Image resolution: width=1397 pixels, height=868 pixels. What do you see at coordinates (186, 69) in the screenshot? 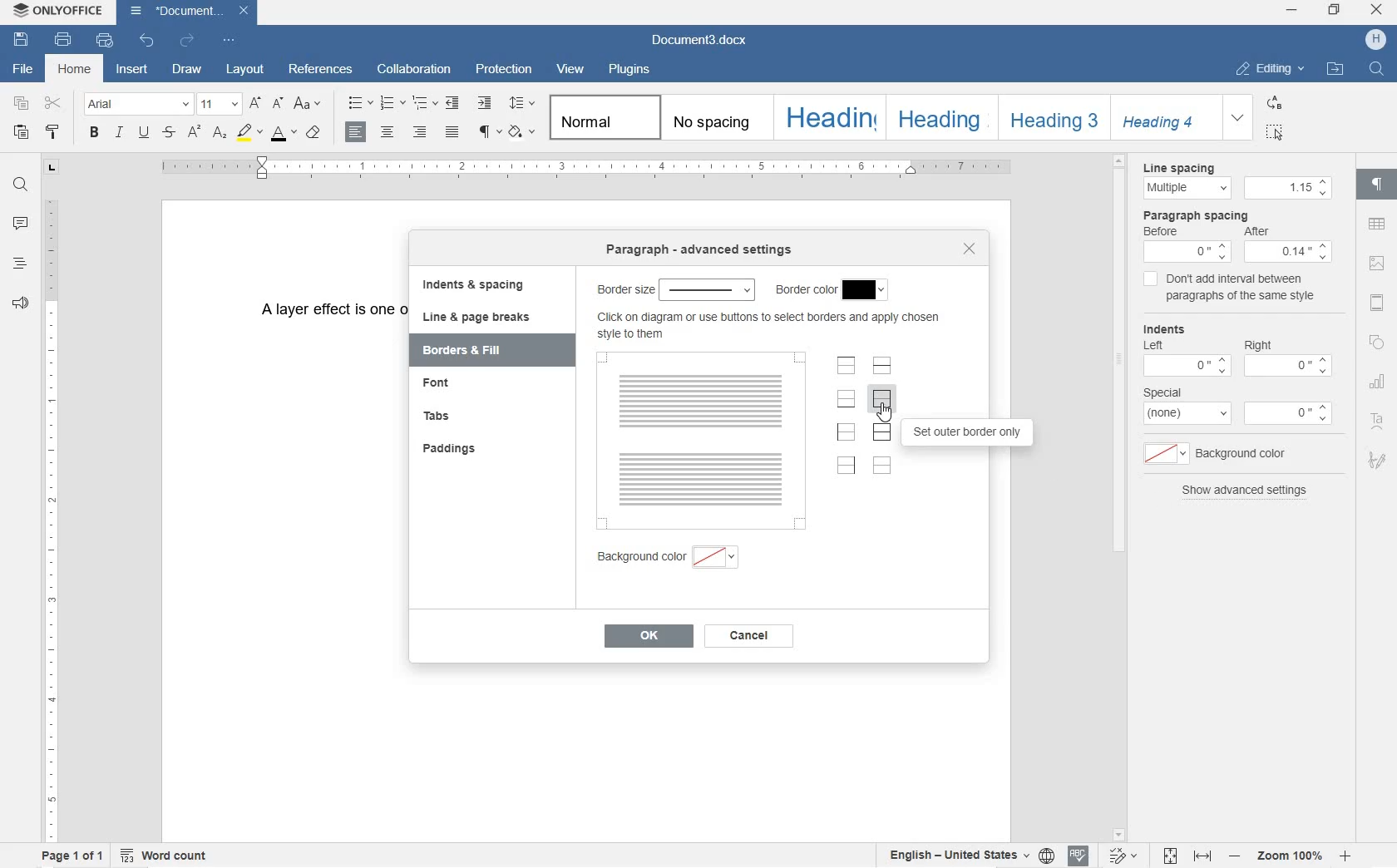
I see `DRAW` at bounding box center [186, 69].